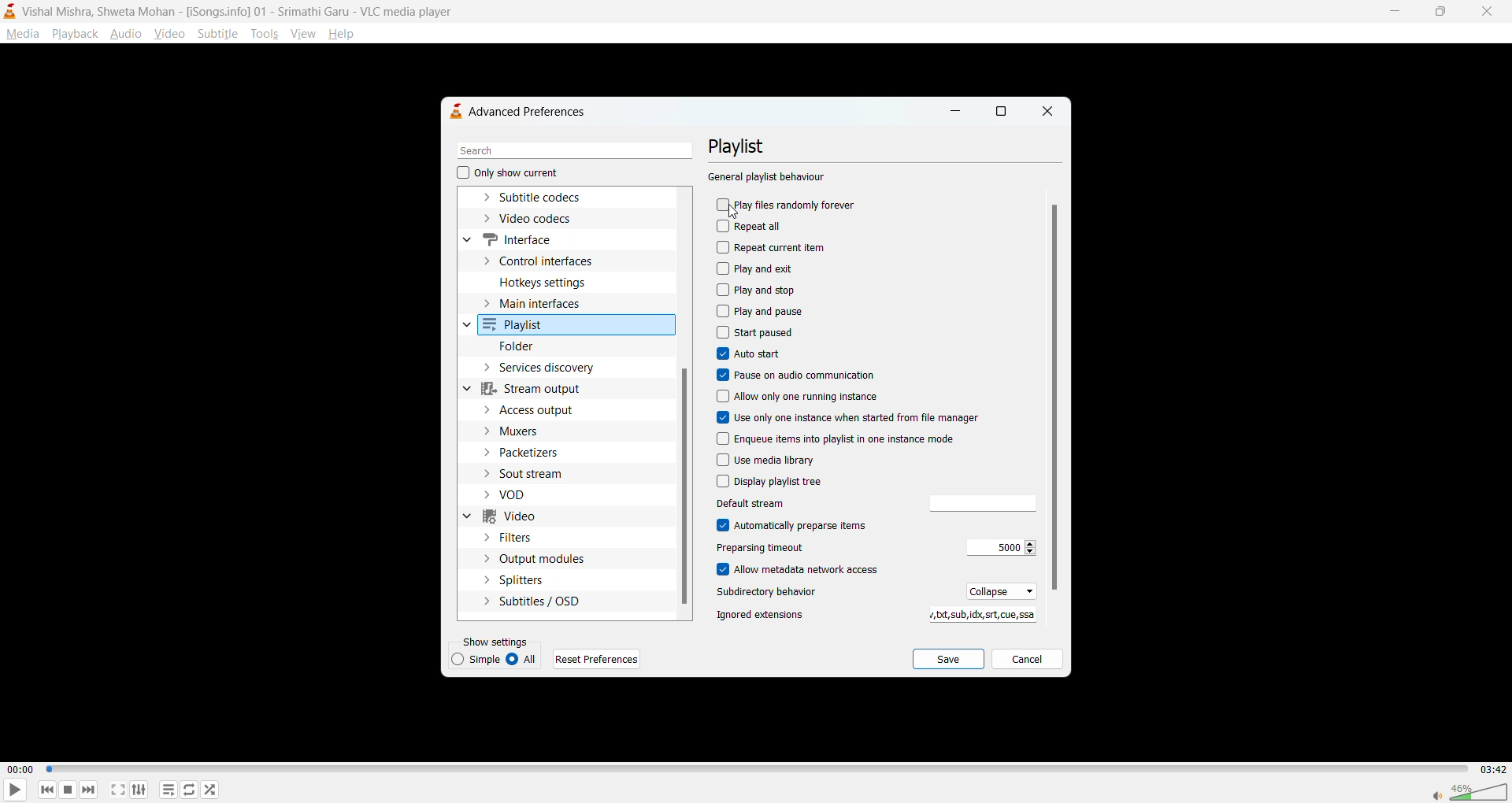 This screenshot has width=1512, height=803. I want to click on fullscreen, so click(118, 790).